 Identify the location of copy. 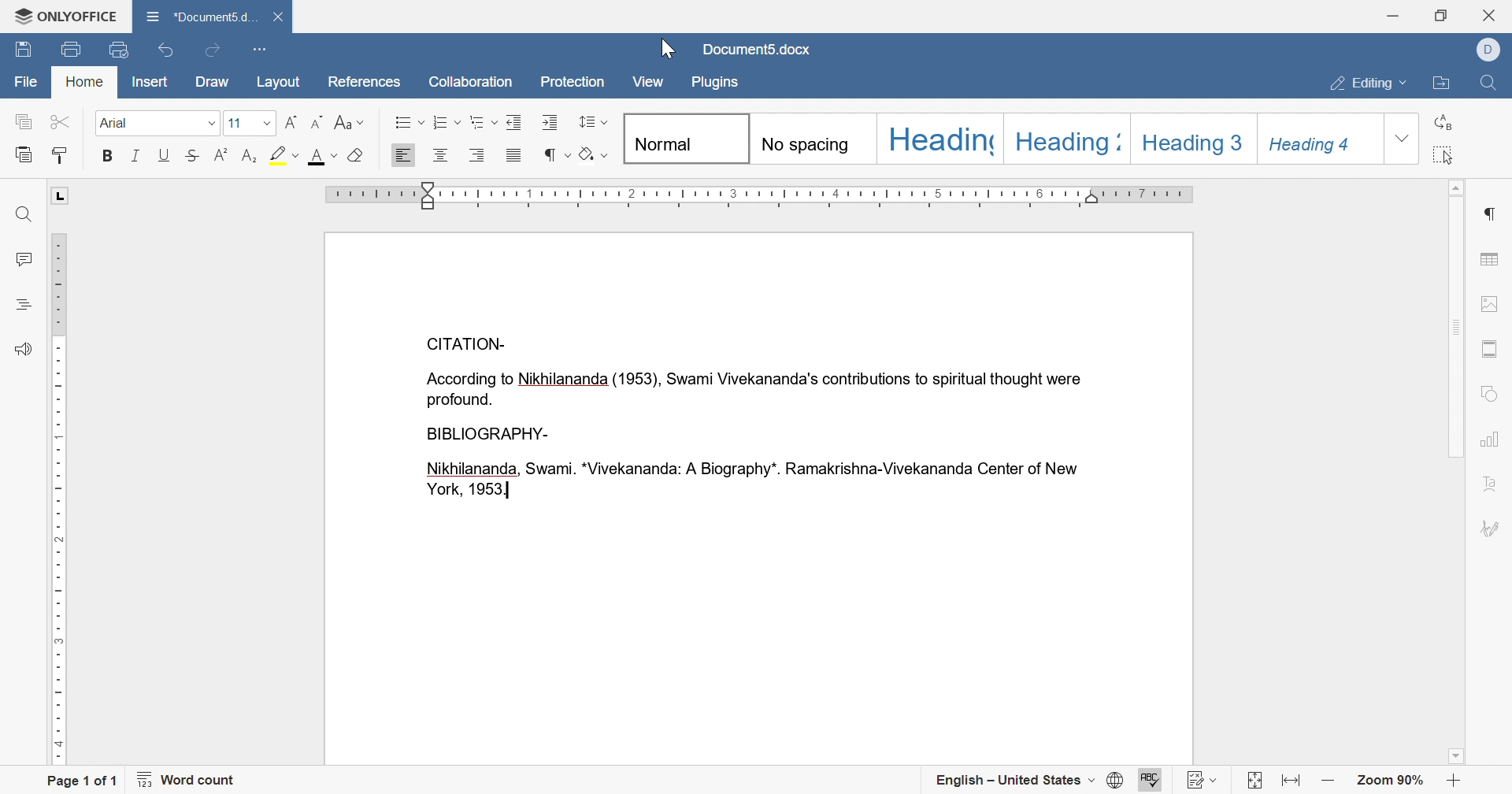
(23, 121).